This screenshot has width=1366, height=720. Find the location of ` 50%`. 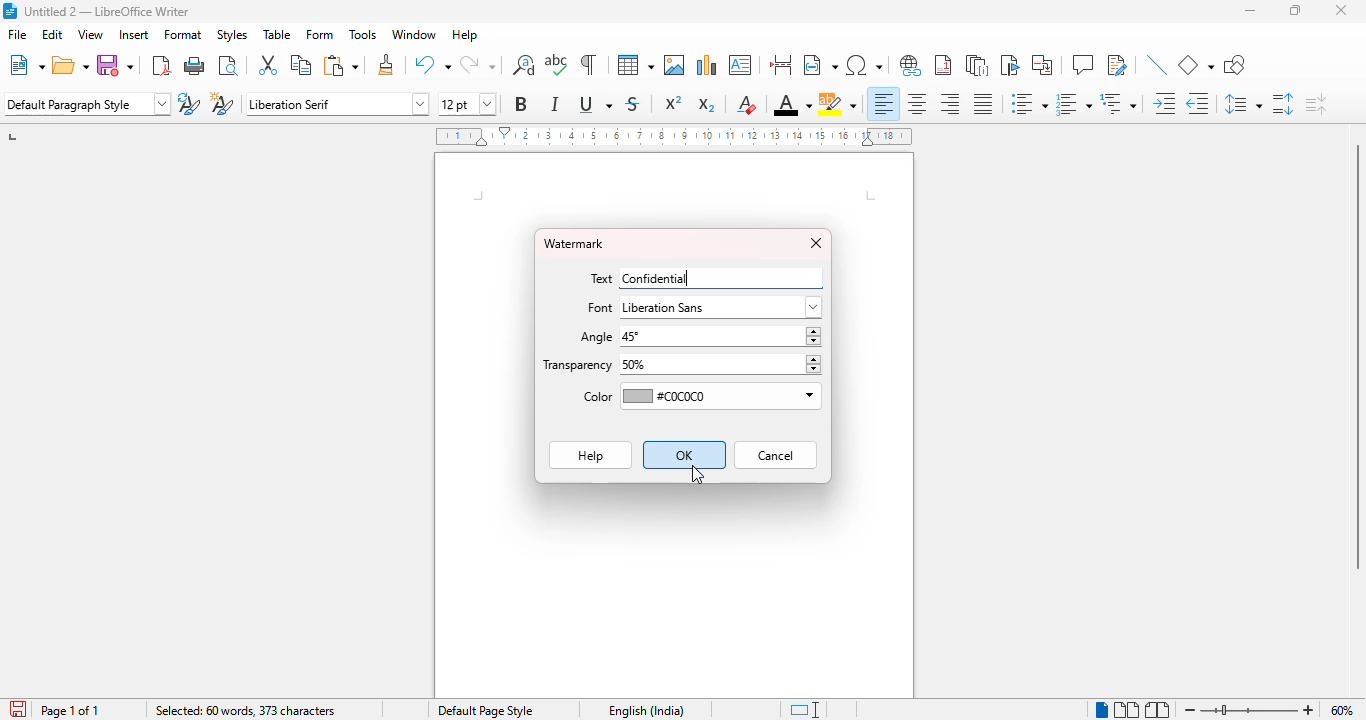

 50% is located at coordinates (719, 365).